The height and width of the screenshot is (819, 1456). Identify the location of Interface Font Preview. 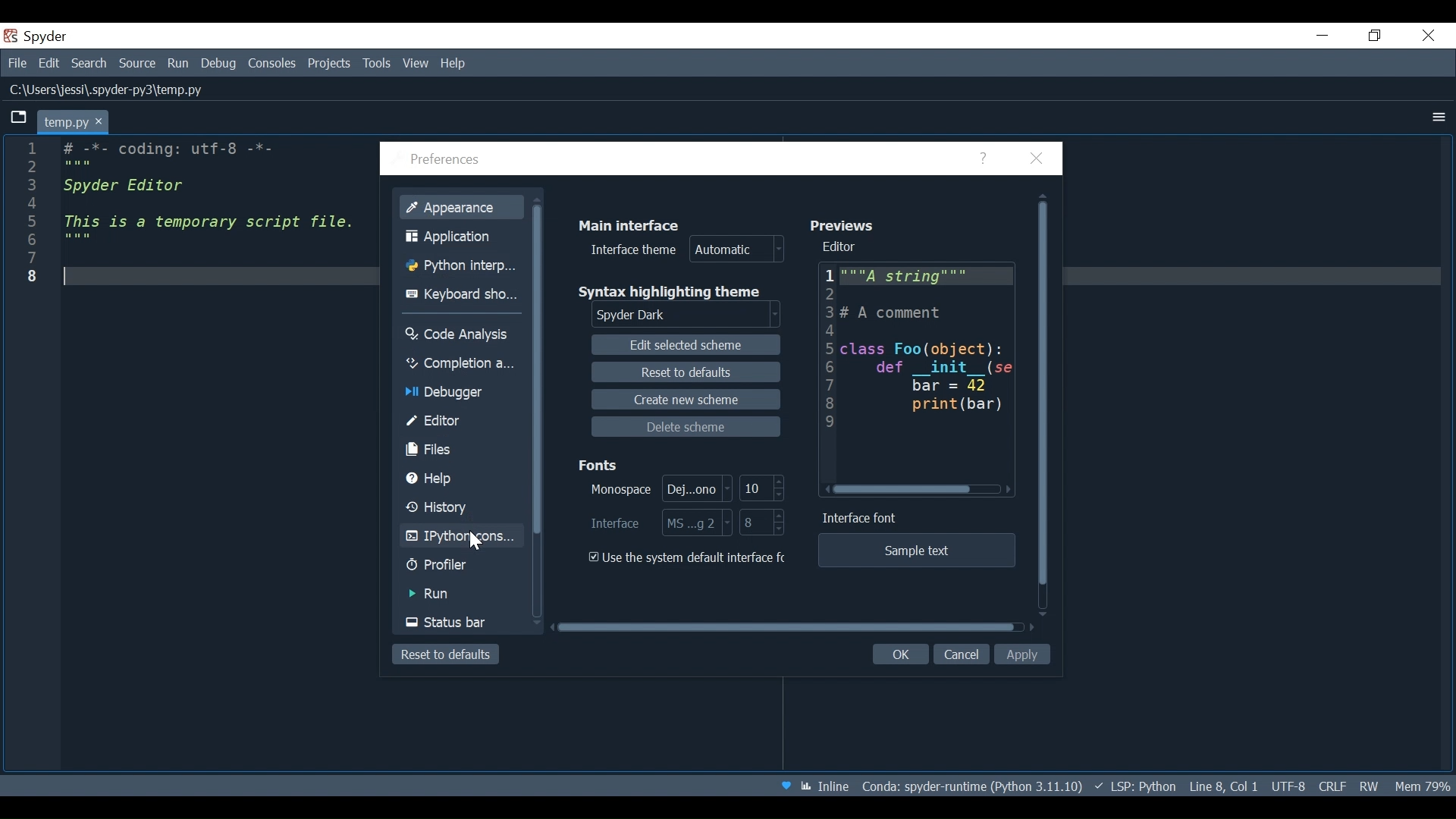
(918, 551).